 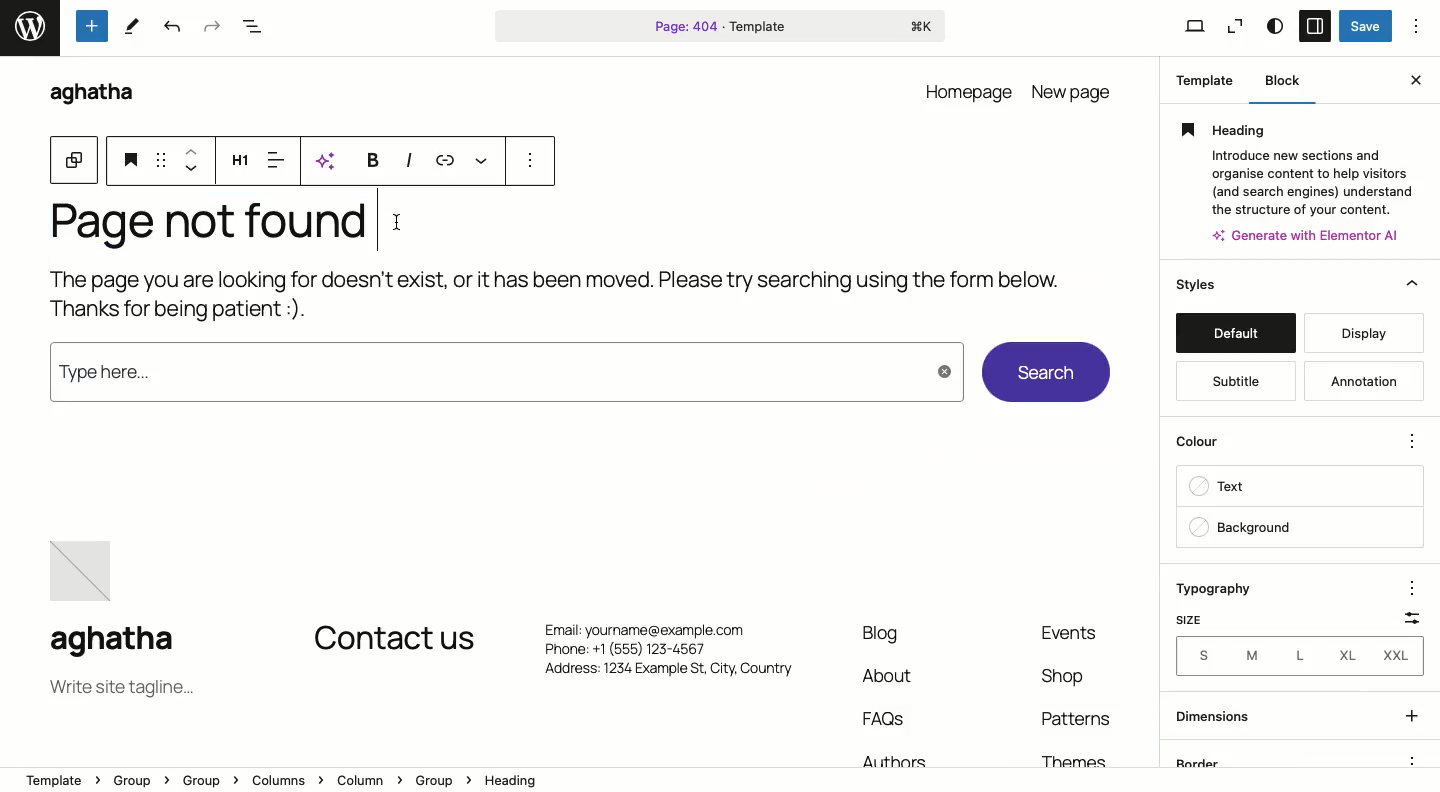 I want to click on Options, so click(x=1422, y=27).